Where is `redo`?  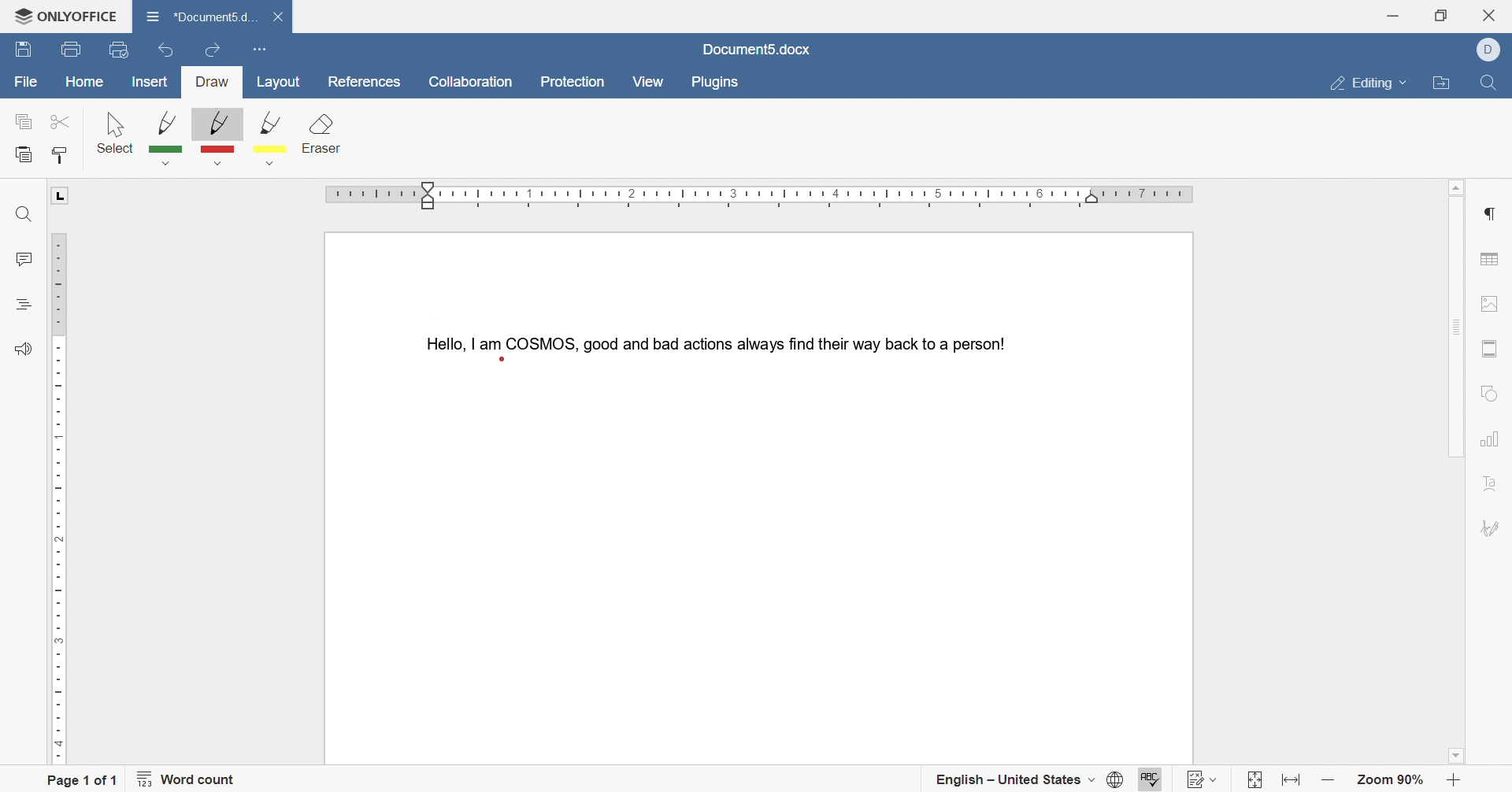 redo is located at coordinates (213, 46).